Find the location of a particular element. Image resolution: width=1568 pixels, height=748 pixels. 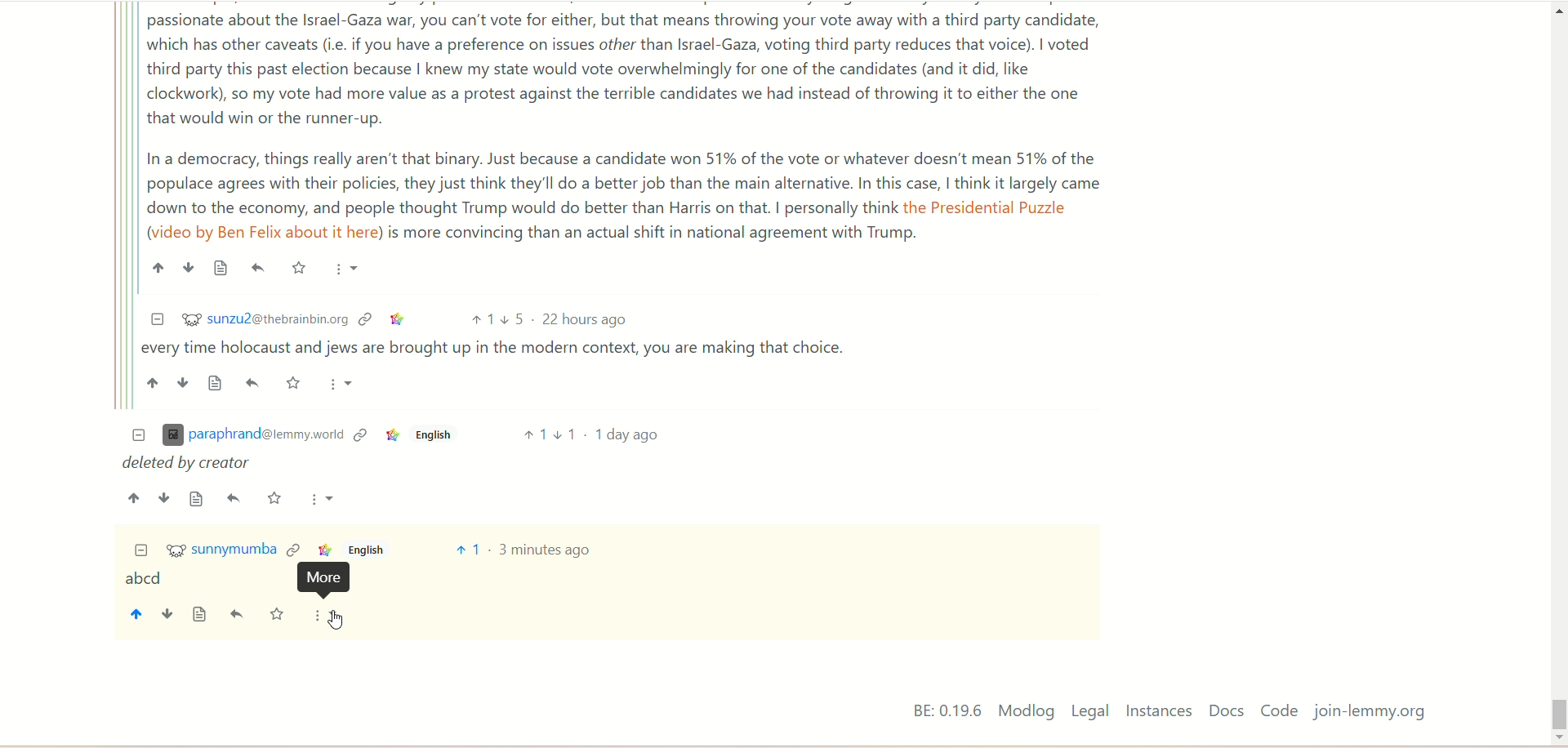

English is located at coordinates (431, 438).